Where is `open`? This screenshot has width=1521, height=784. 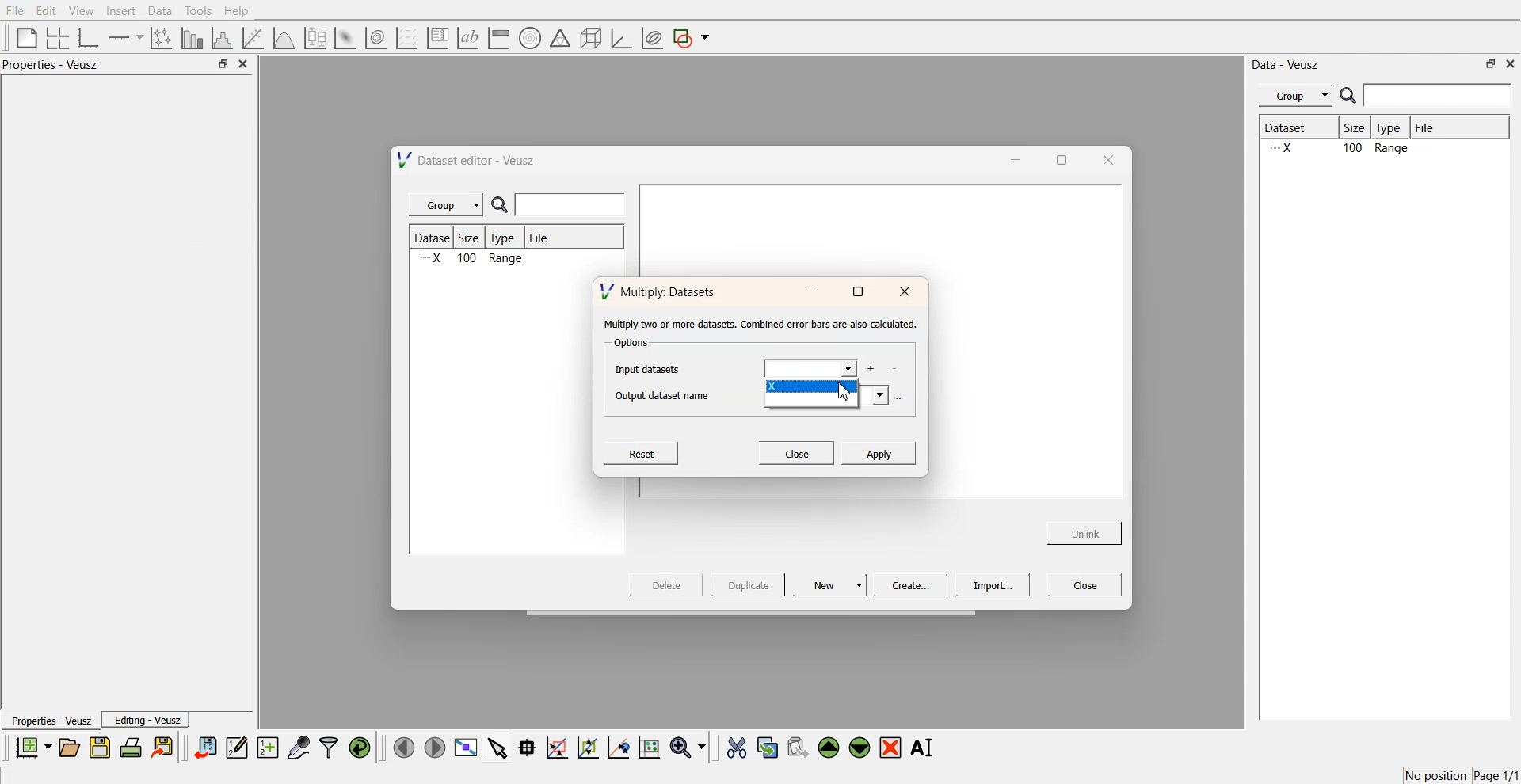 open is located at coordinates (69, 748).